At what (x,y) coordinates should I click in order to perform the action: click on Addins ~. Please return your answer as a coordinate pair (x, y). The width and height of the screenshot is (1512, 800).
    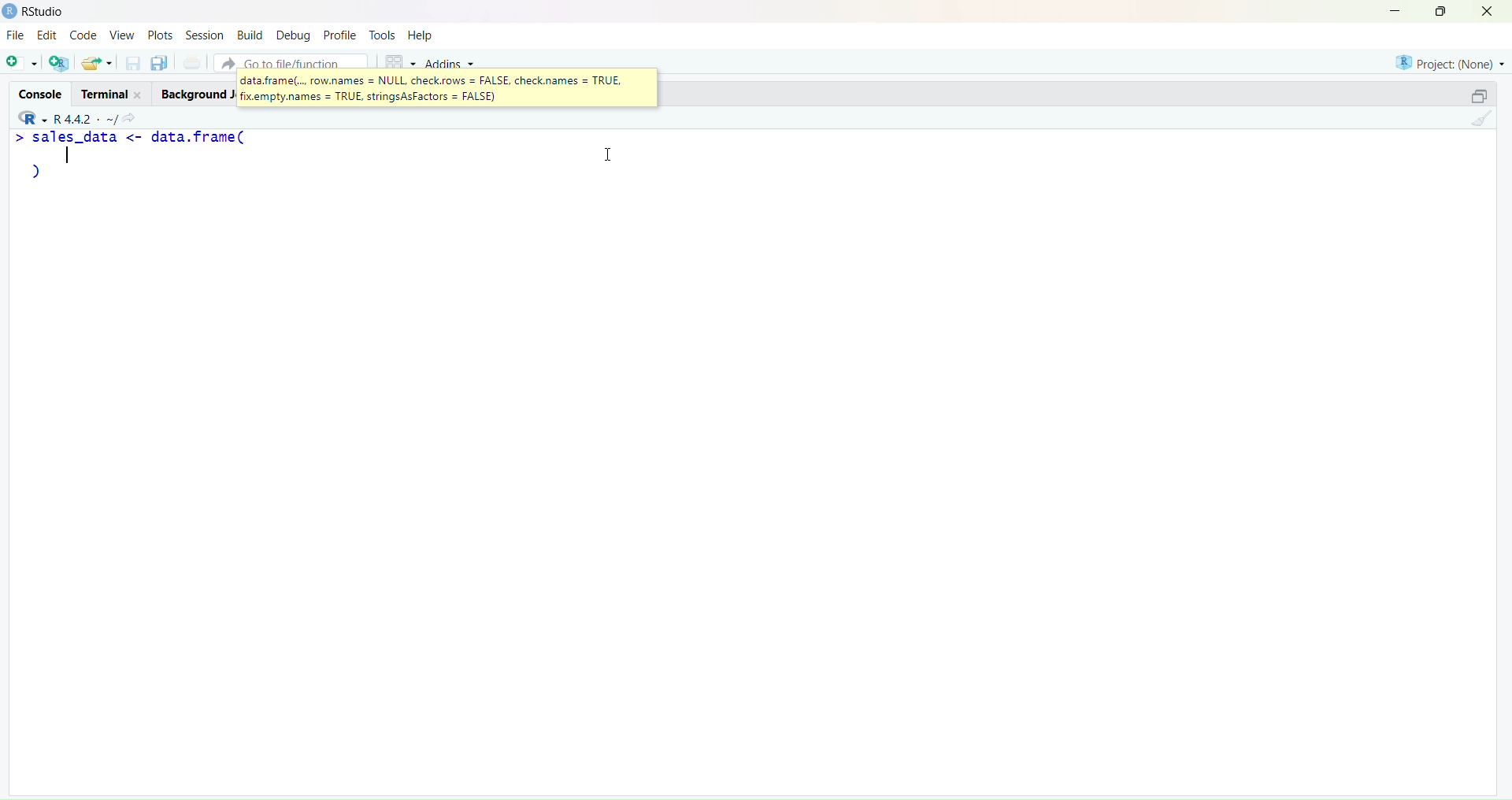
    Looking at the image, I should click on (450, 64).